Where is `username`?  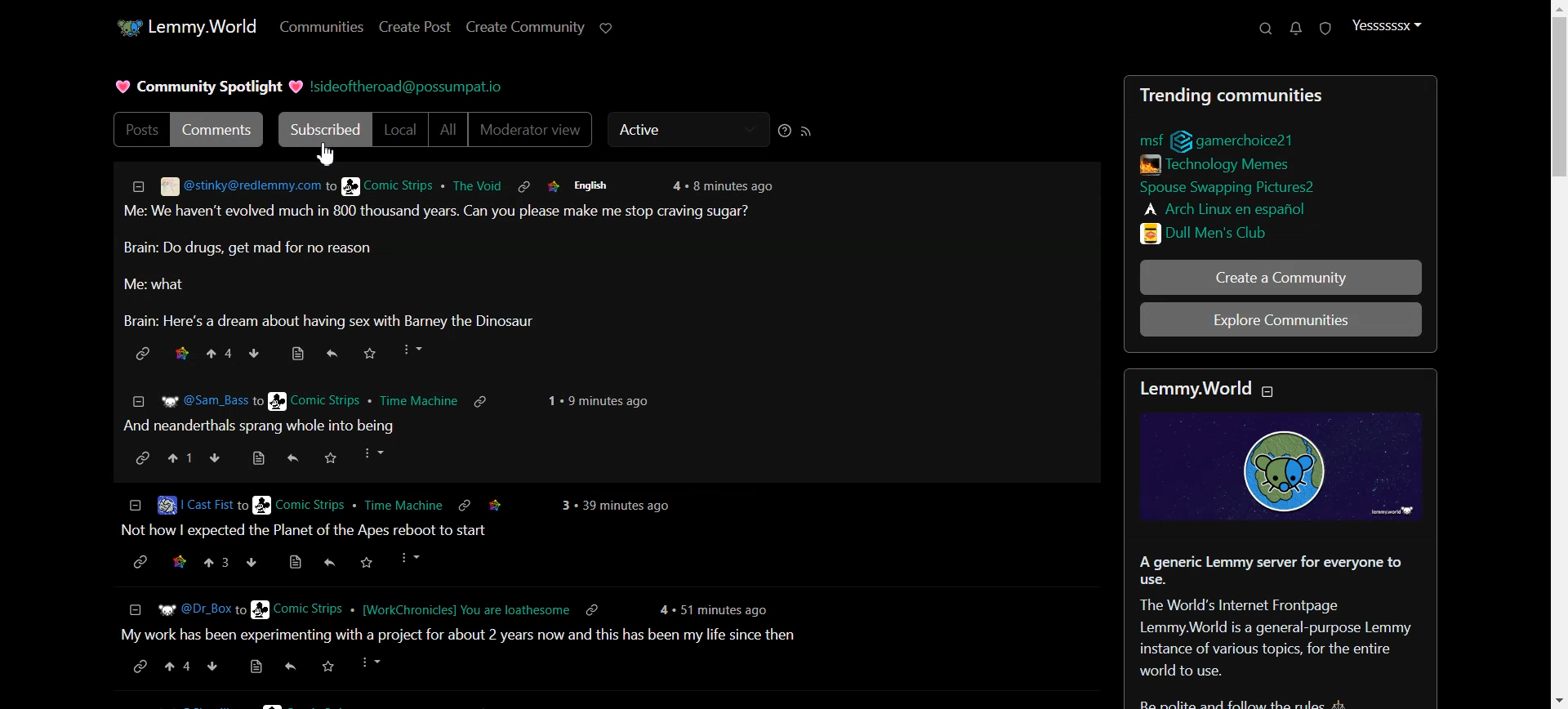 username is located at coordinates (225, 185).